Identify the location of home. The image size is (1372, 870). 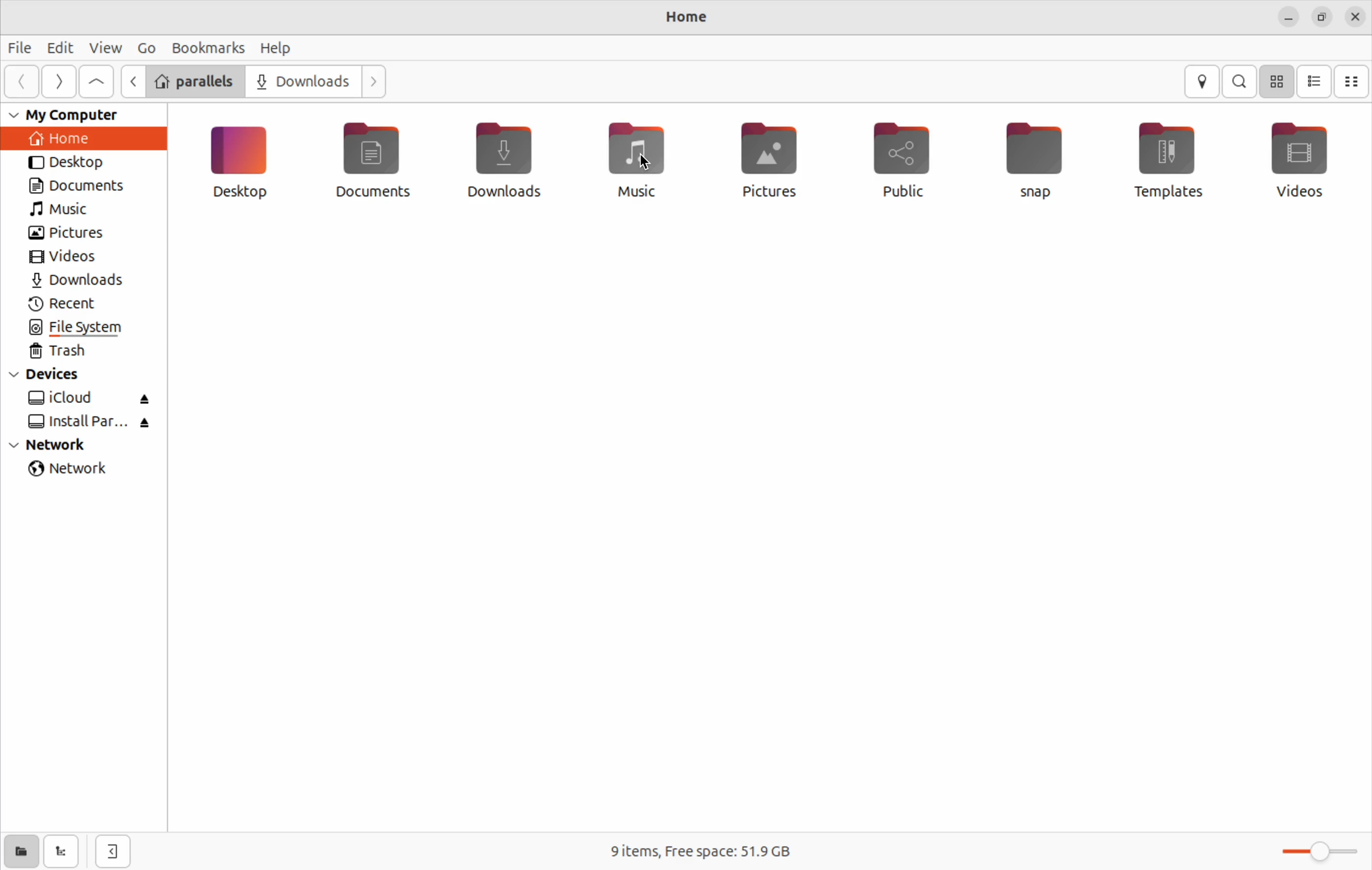
(688, 16).